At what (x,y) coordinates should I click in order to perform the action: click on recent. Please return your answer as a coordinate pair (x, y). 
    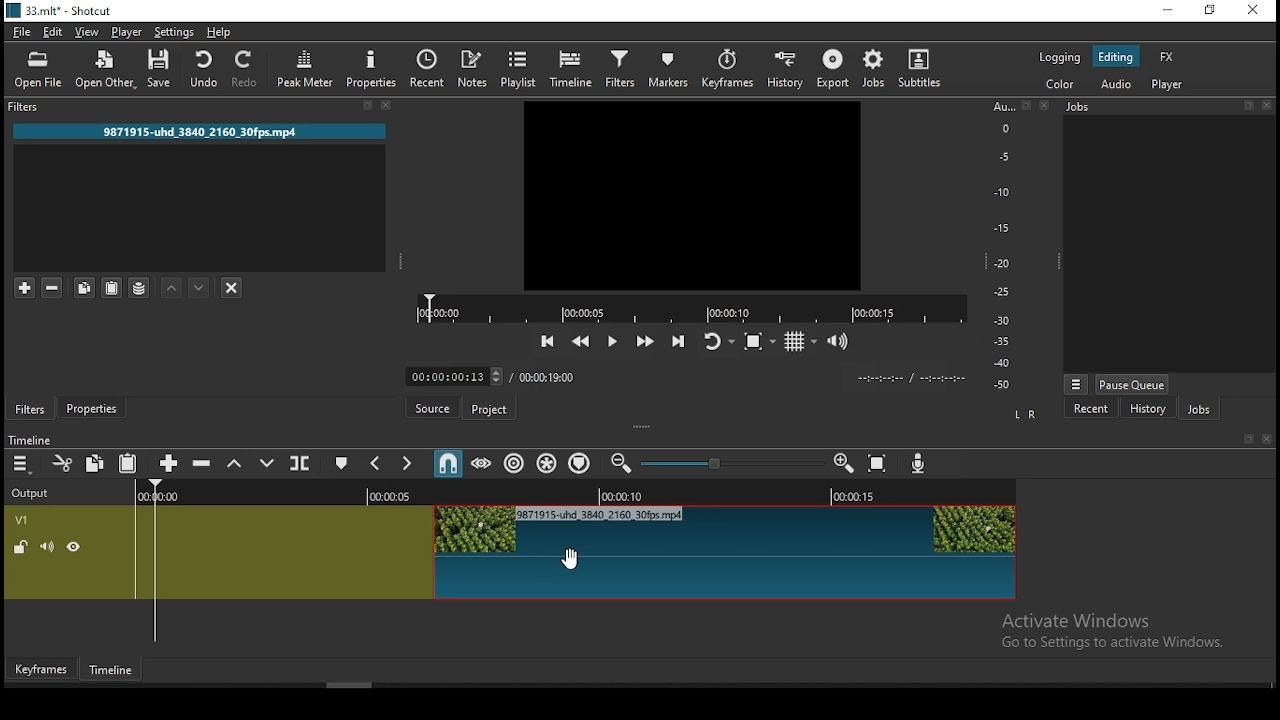
    Looking at the image, I should click on (1101, 408).